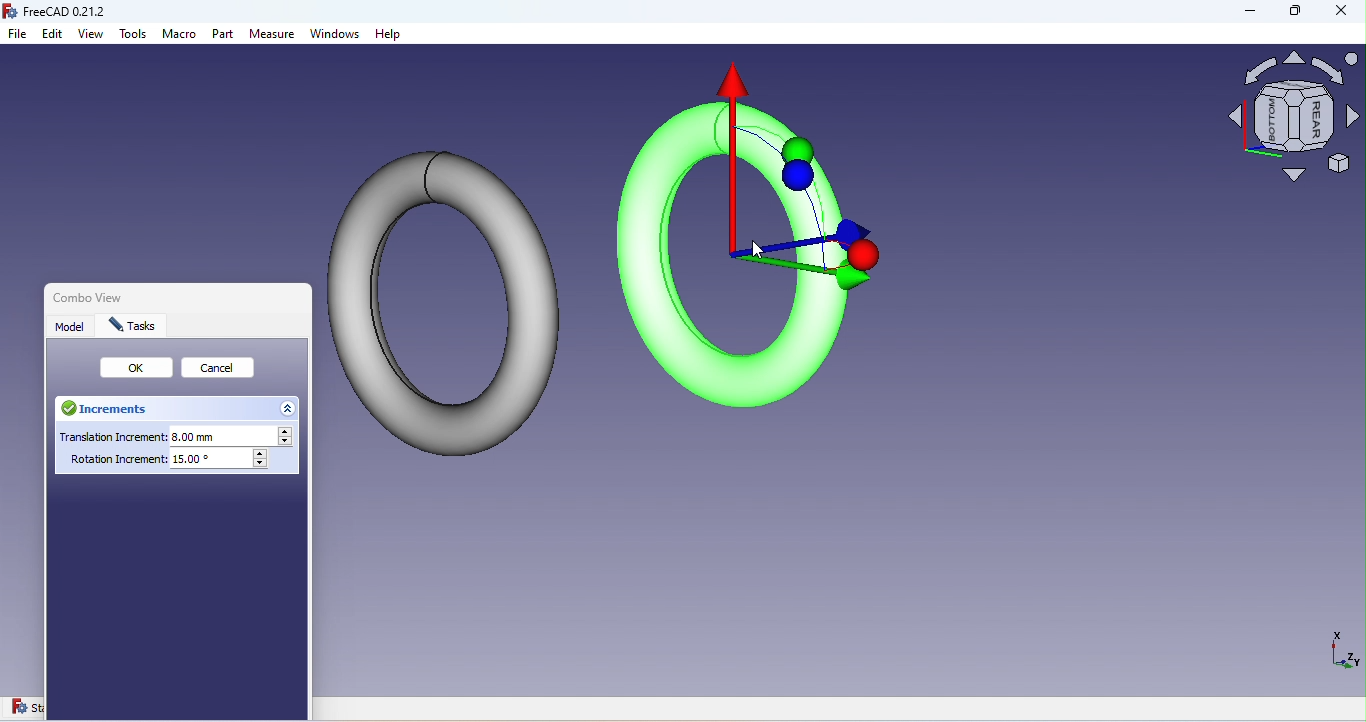 This screenshot has width=1366, height=722. I want to click on Navigation square, so click(1294, 122).